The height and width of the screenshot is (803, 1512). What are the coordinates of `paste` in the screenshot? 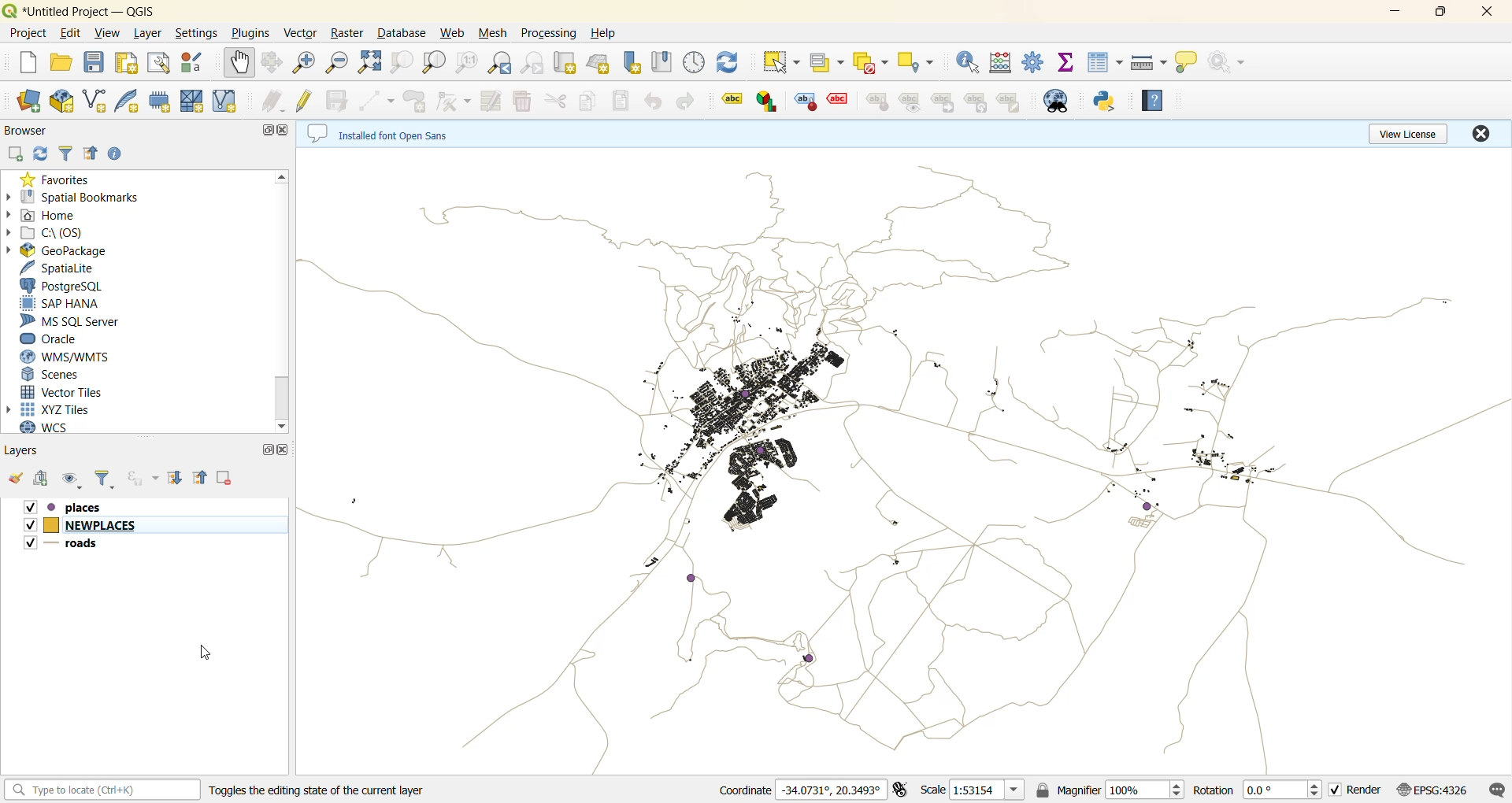 It's located at (623, 102).